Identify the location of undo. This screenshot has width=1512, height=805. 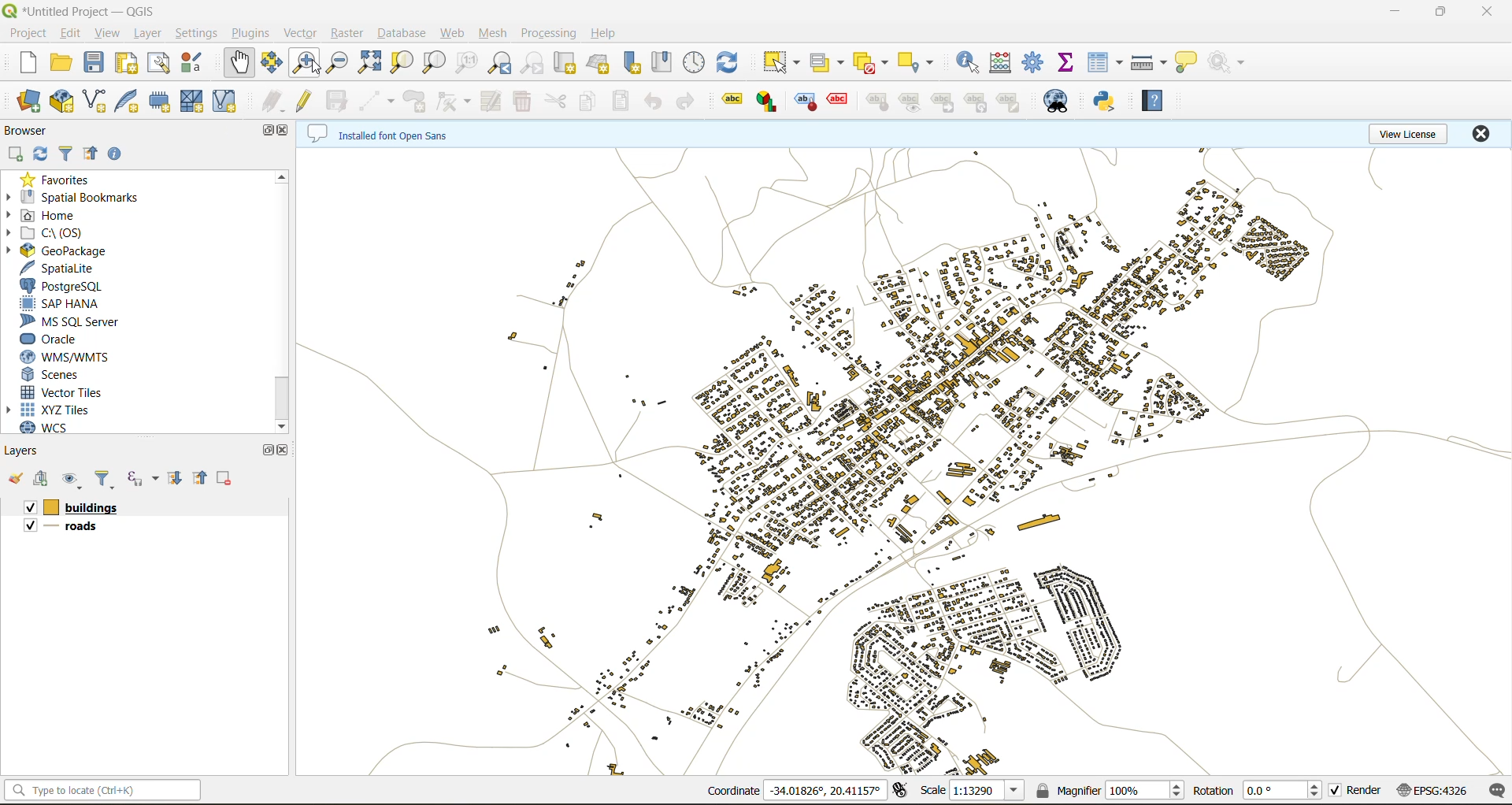
(651, 102).